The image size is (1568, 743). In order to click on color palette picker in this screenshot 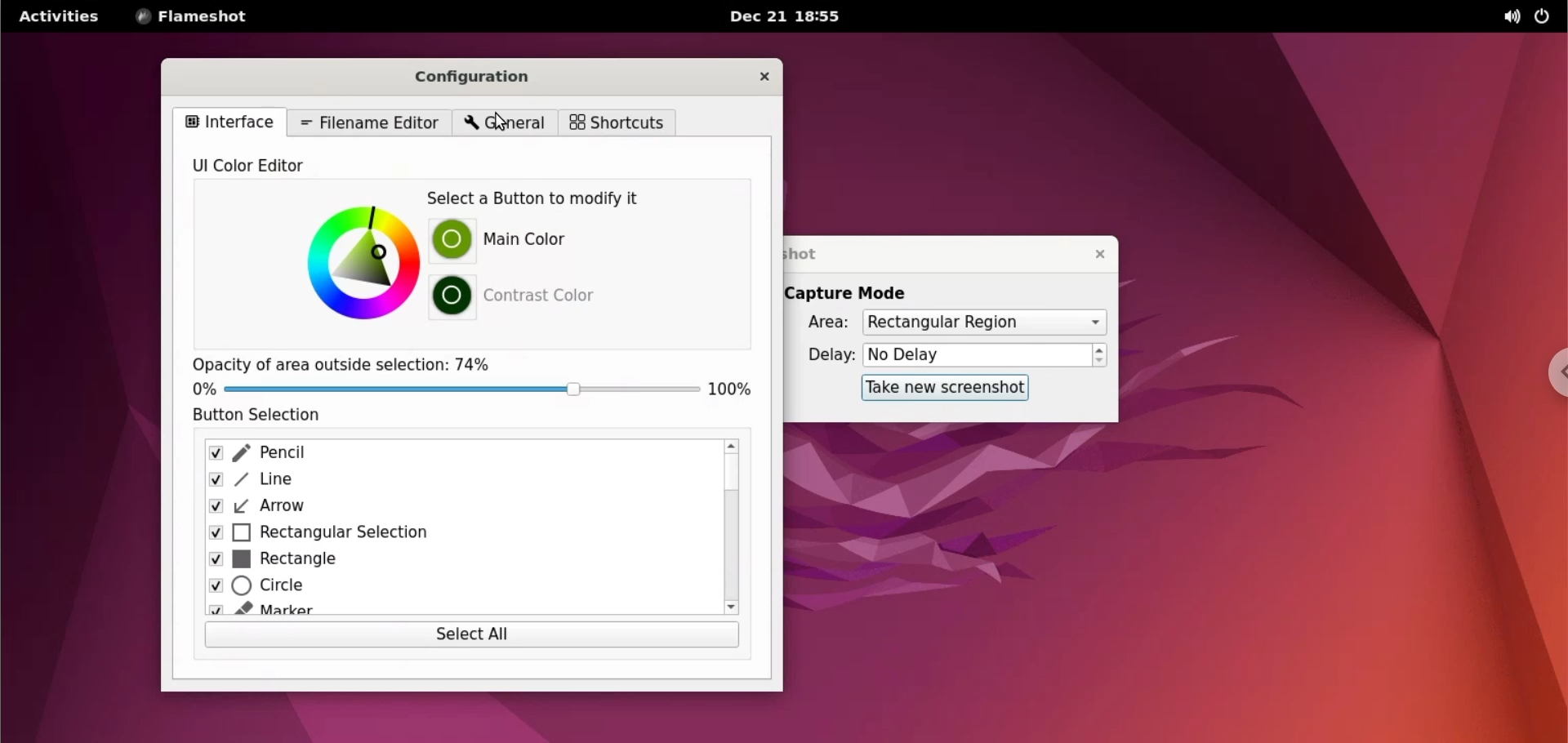, I will do `click(360, 261)`.